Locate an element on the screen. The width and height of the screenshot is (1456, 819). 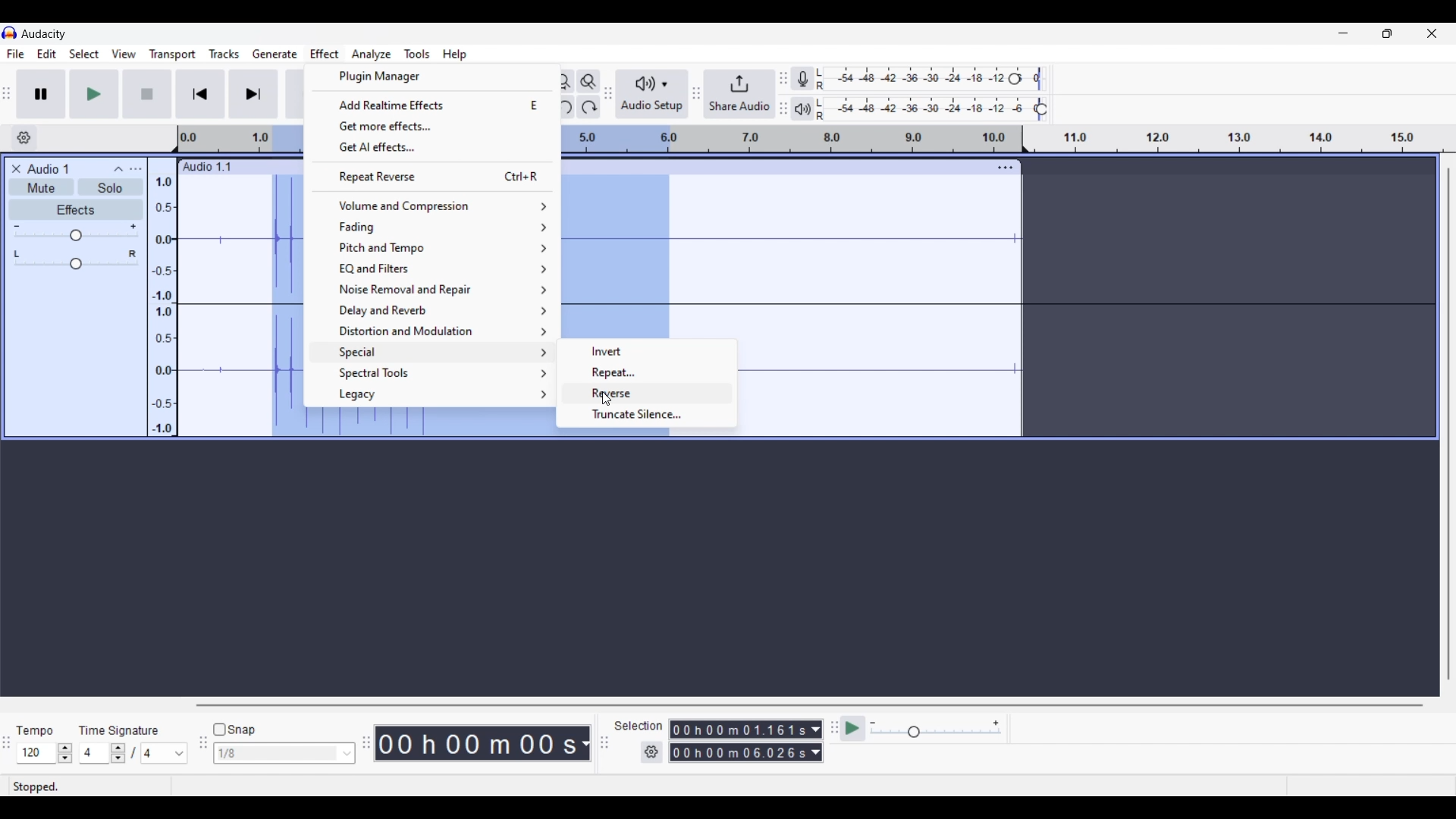
Redo is located at coordinates (588, 107).